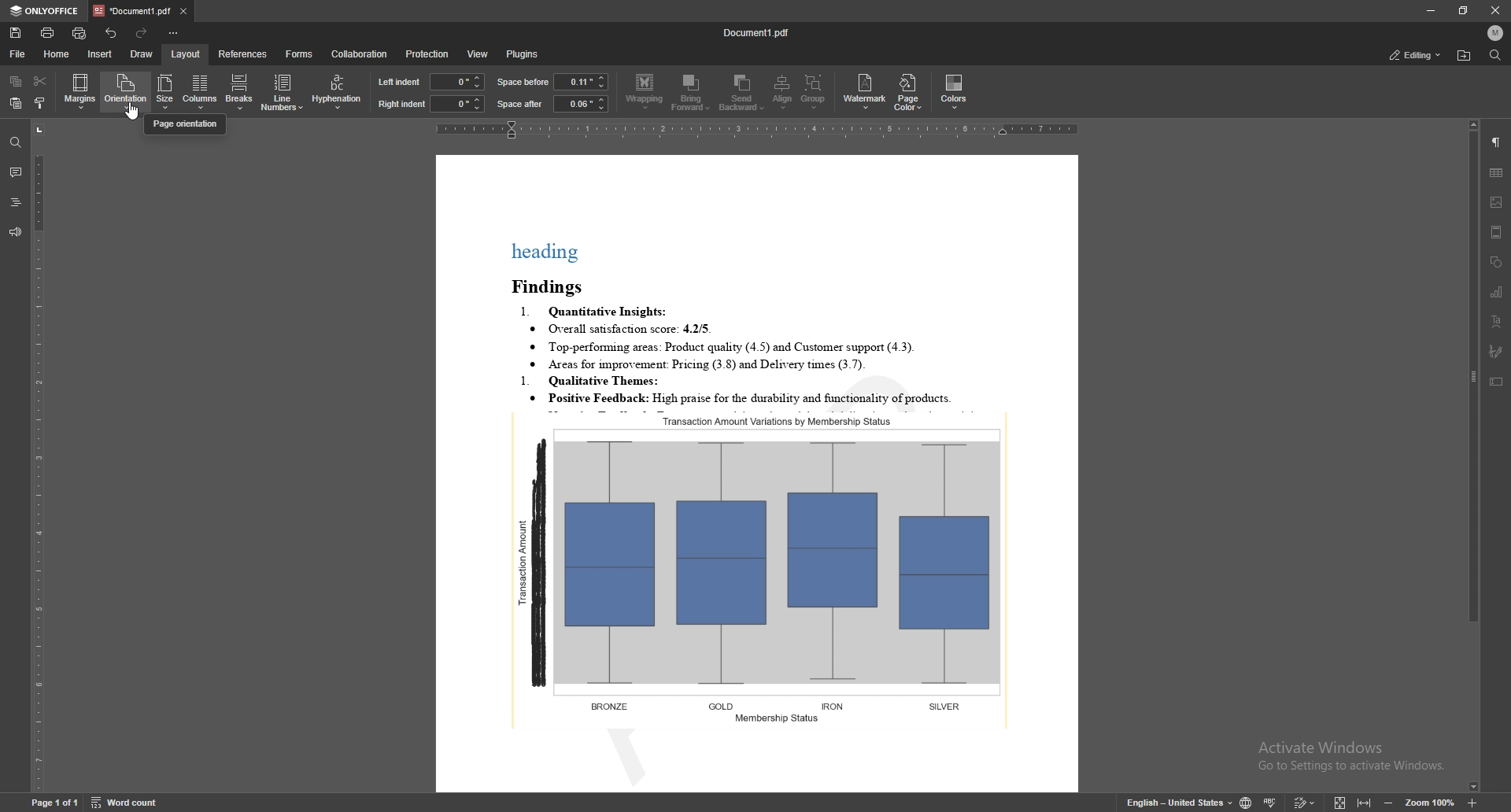 The height and width of the screenshot is (812, 1511). I want to click on save, so click(16, 32).